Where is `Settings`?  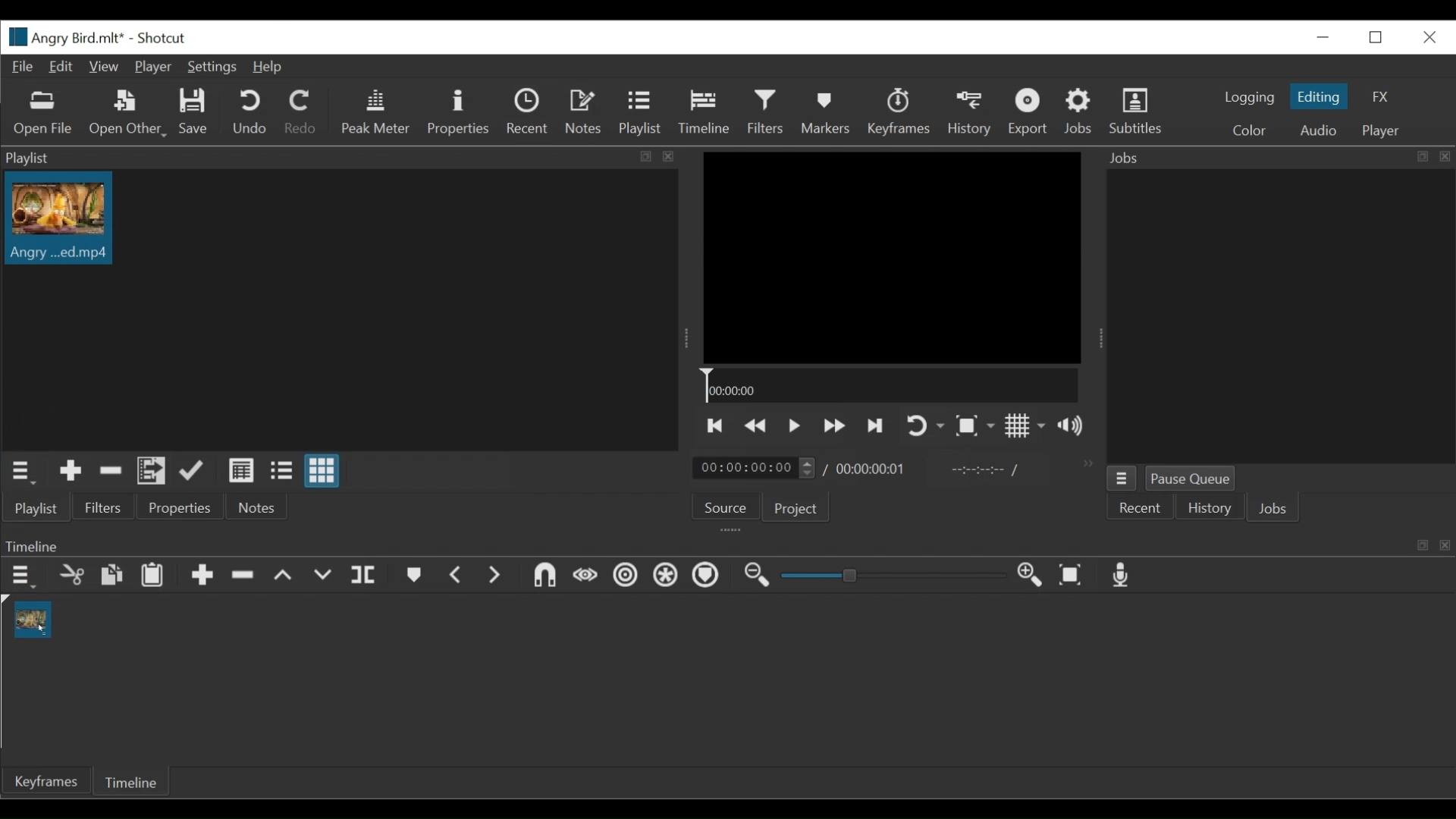 Settings is located at coordinates (213, 67).